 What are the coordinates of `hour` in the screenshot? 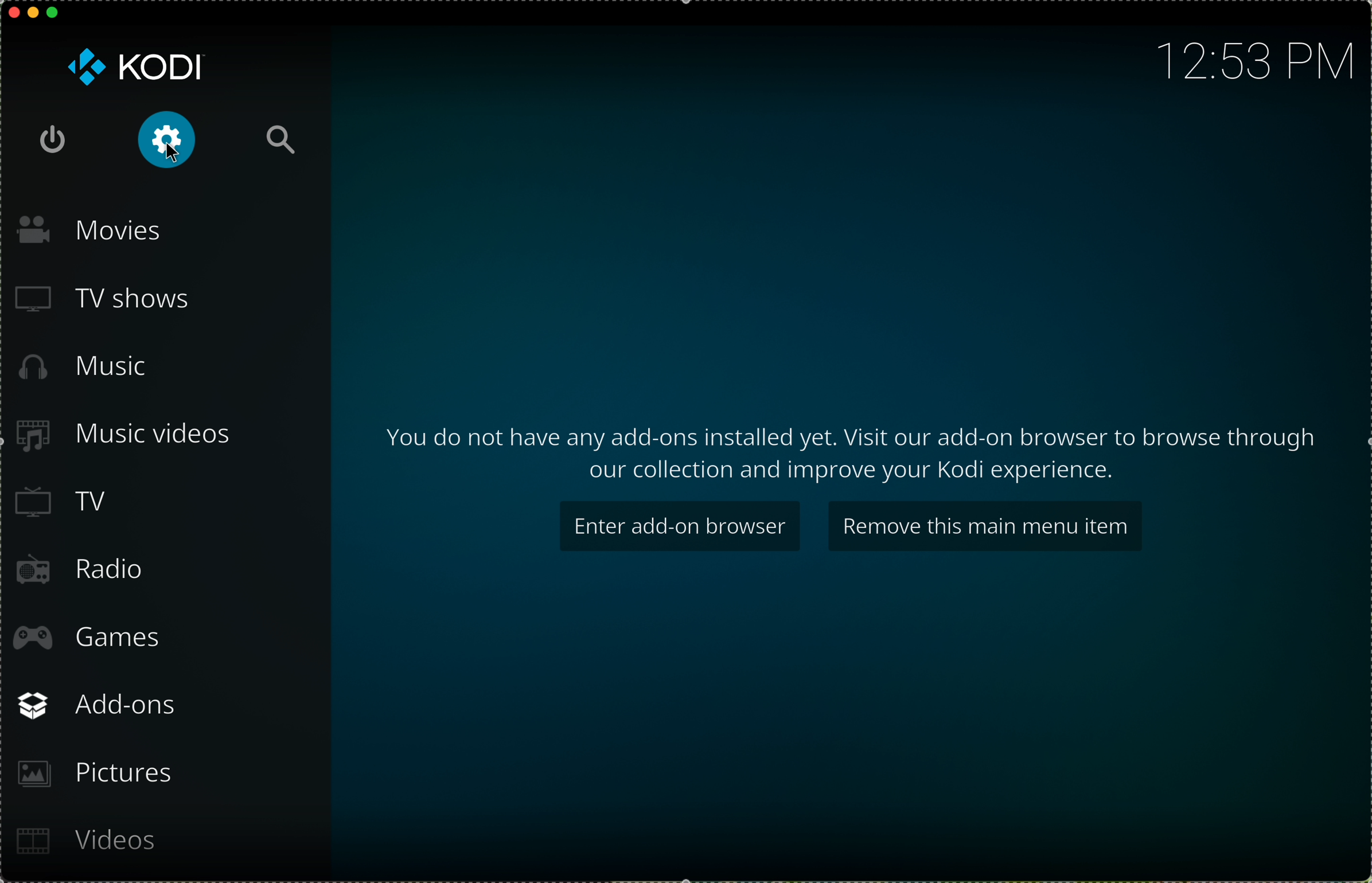 It's located at (1254, 61).